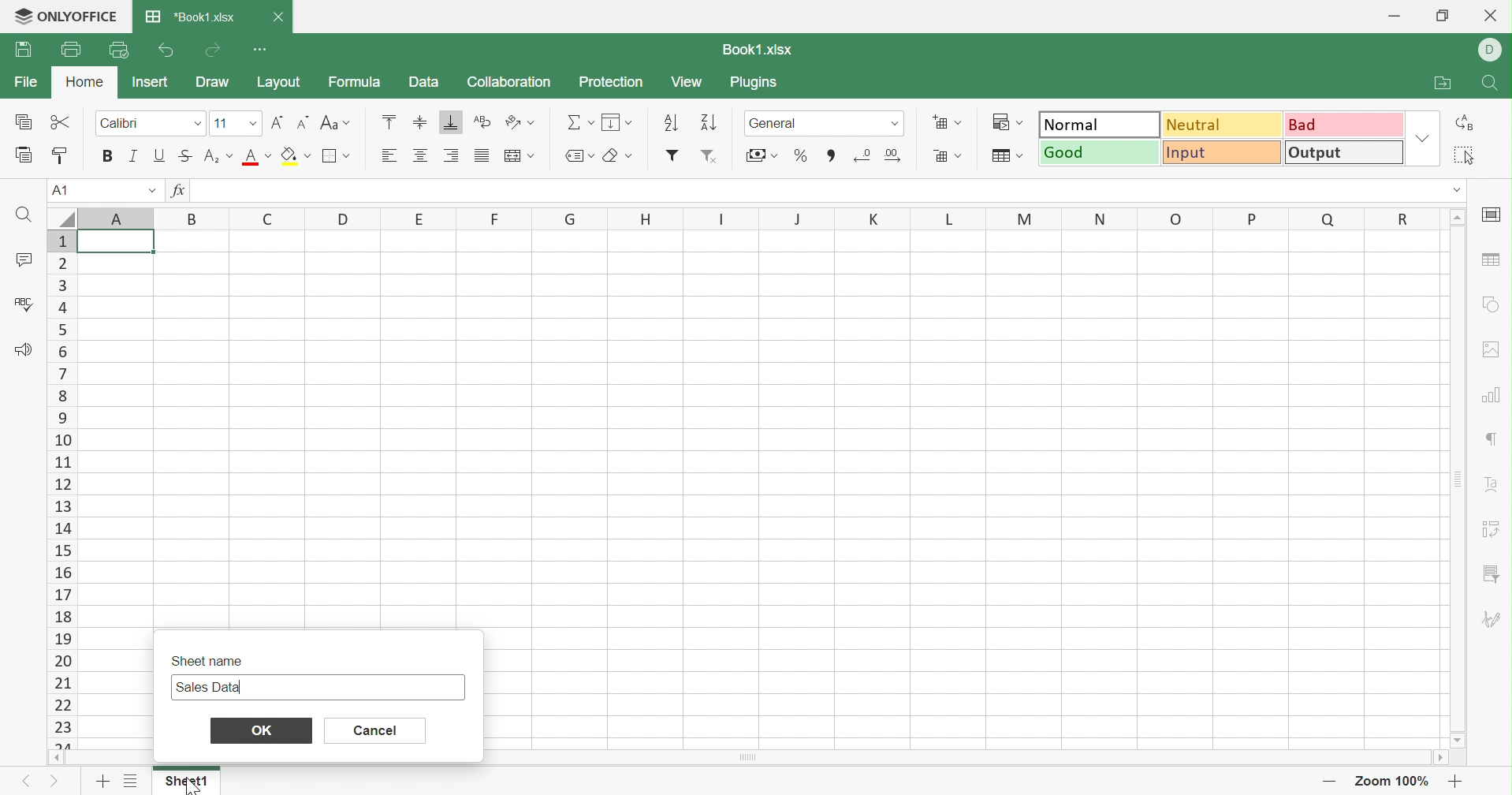 This screenshot has width=1512, height=795. Describe the element at coordinates (21, 121) in the screenshot. I see `Copy` at that location.